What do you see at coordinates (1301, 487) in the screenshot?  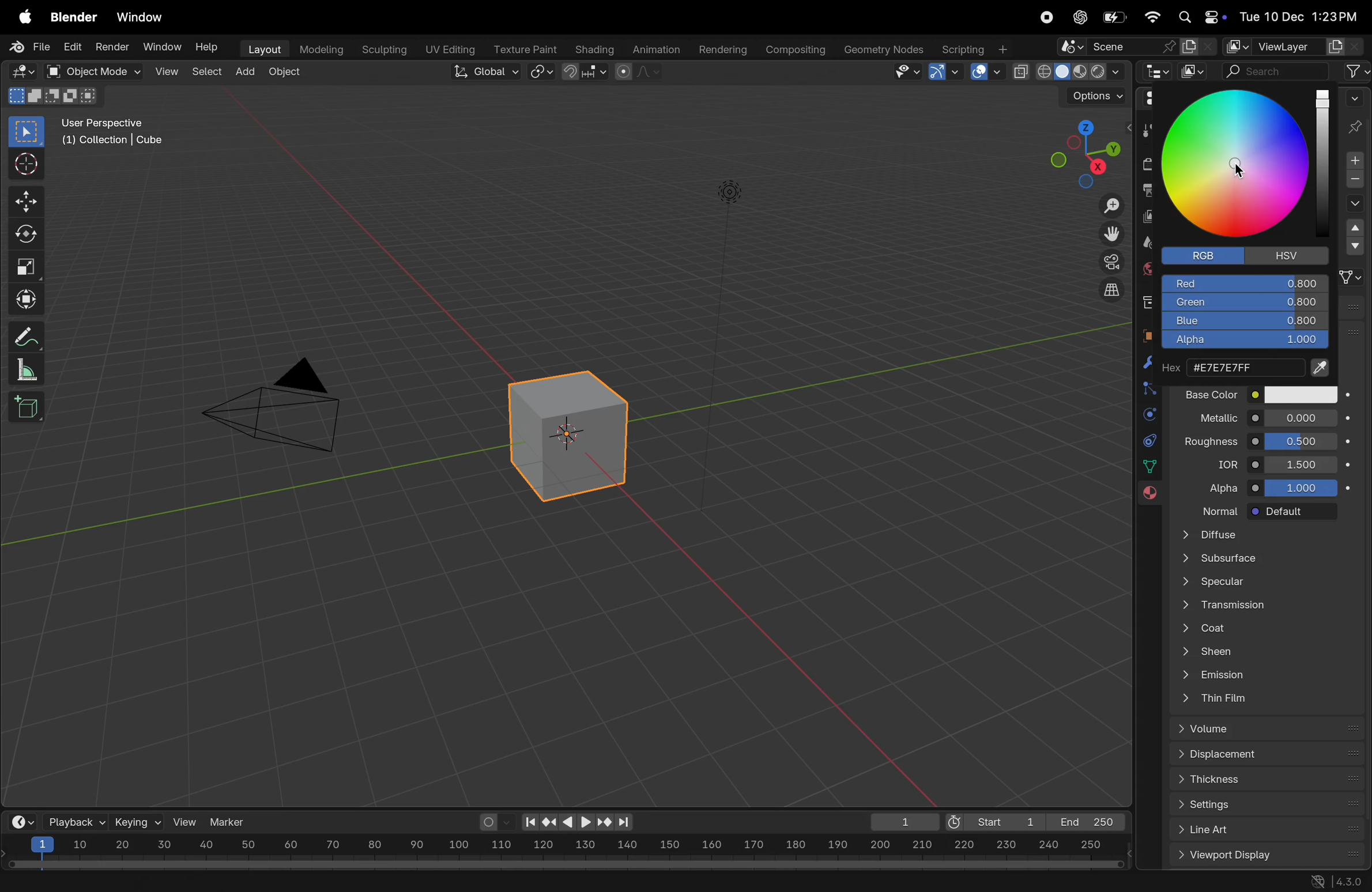 I see `10000` at bounding box center [1301, 487].